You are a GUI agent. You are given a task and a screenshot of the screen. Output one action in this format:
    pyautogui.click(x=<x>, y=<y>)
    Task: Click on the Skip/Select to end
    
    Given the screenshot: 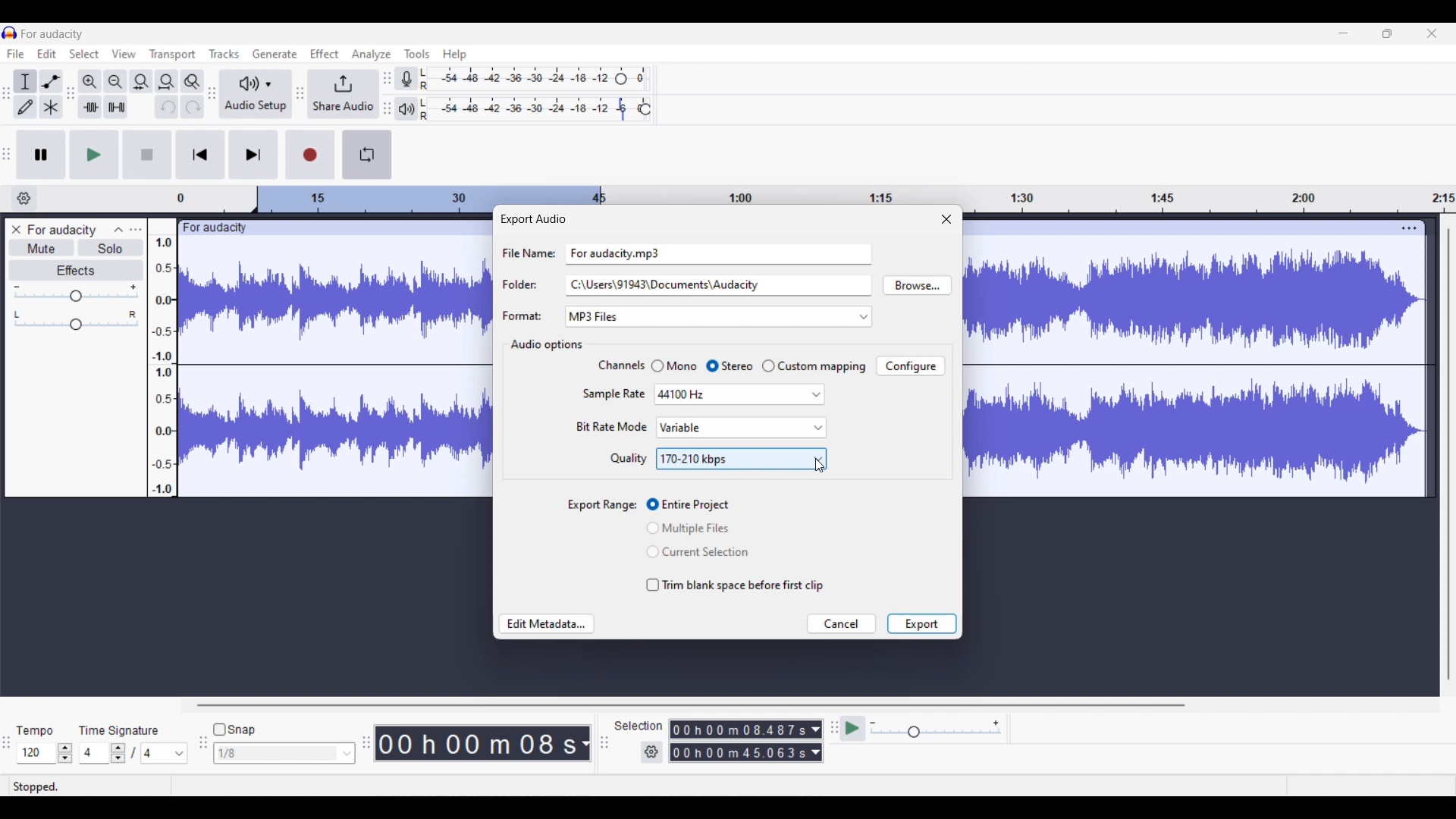 What is the action you would take?
    pyautogui.click(x=254, y=154)
    